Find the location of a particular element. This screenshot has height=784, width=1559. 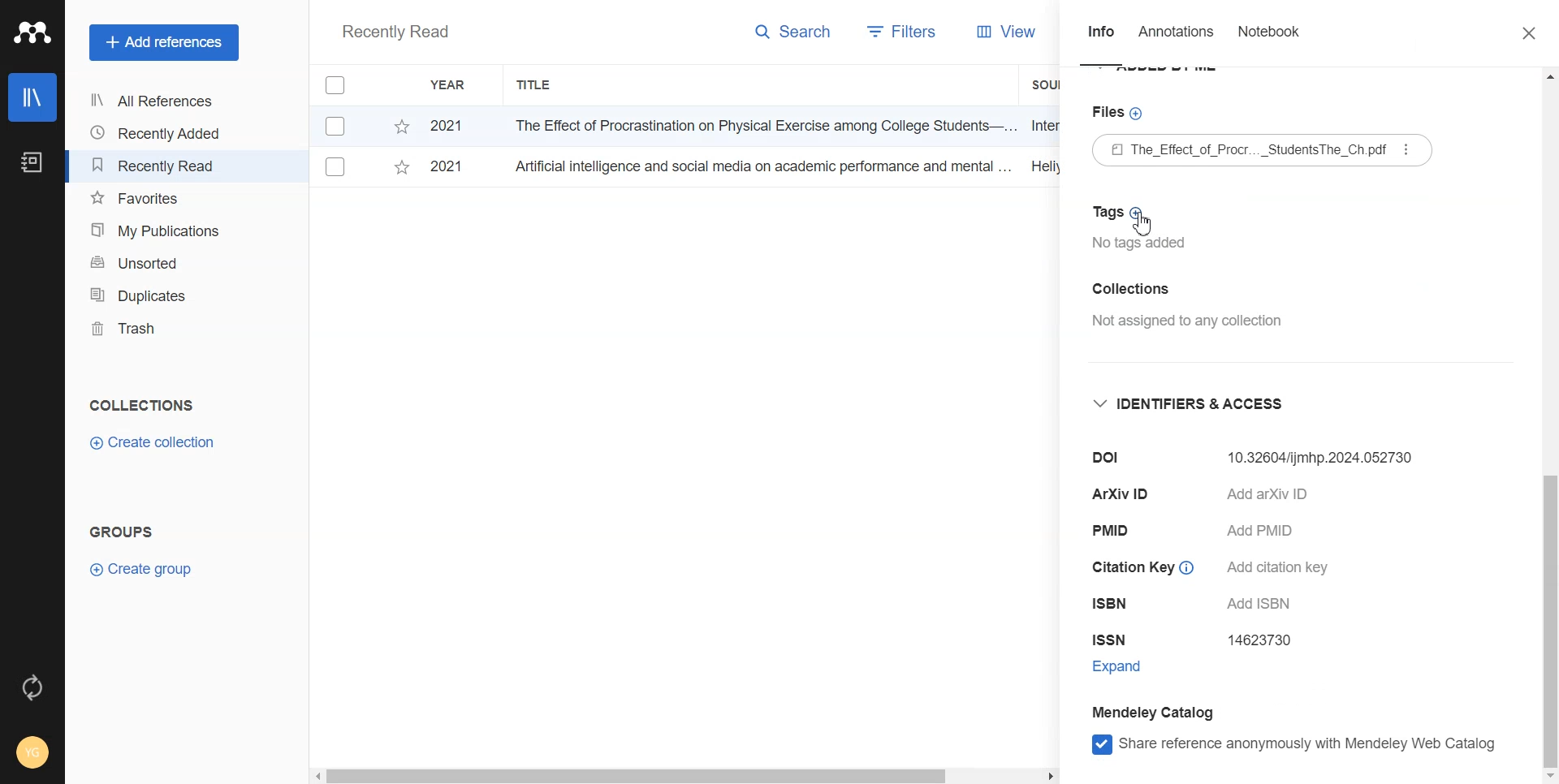

Search is located at coordinates (794, 35).